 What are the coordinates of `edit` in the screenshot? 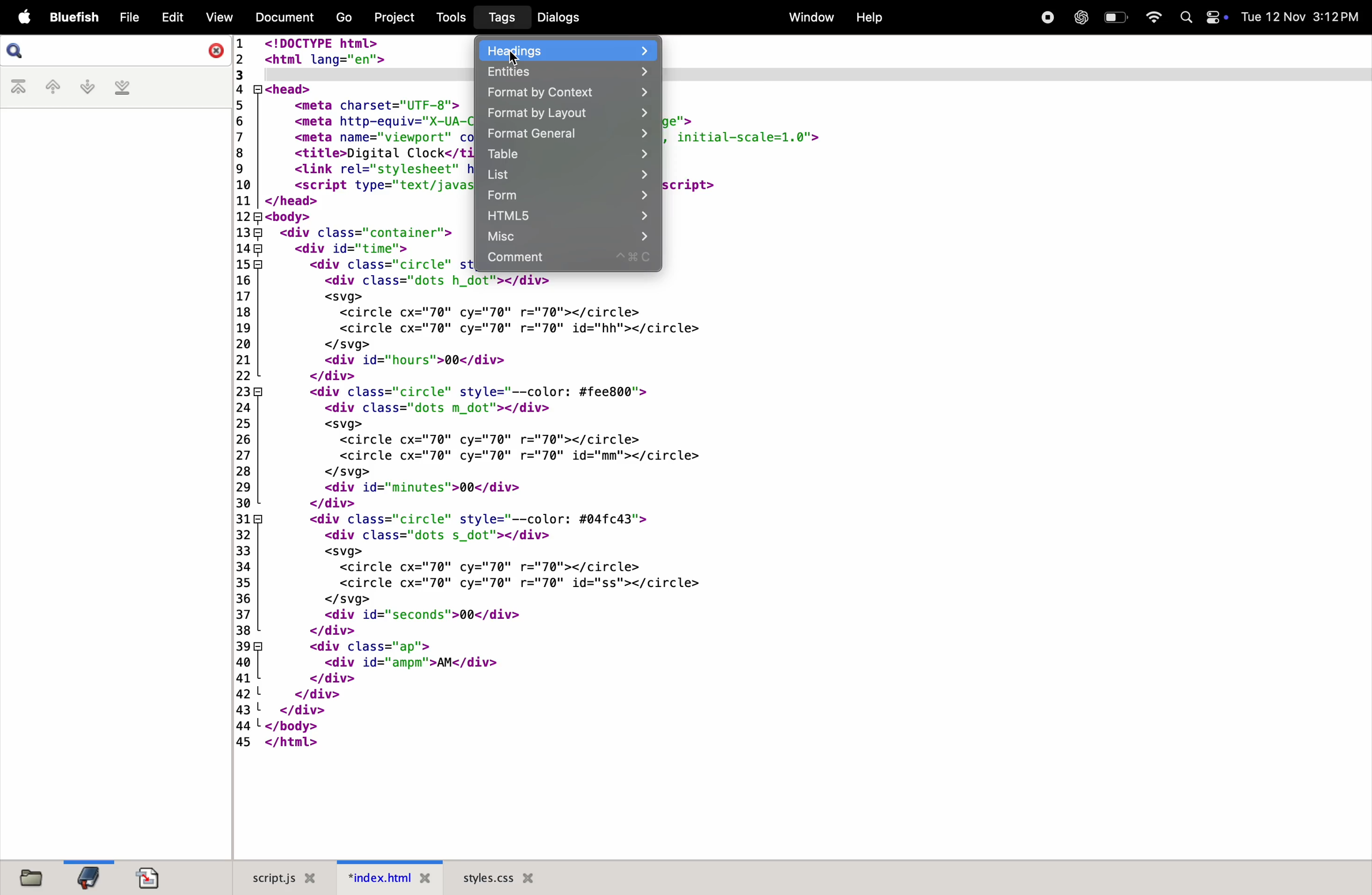 It's located at (172, 16).